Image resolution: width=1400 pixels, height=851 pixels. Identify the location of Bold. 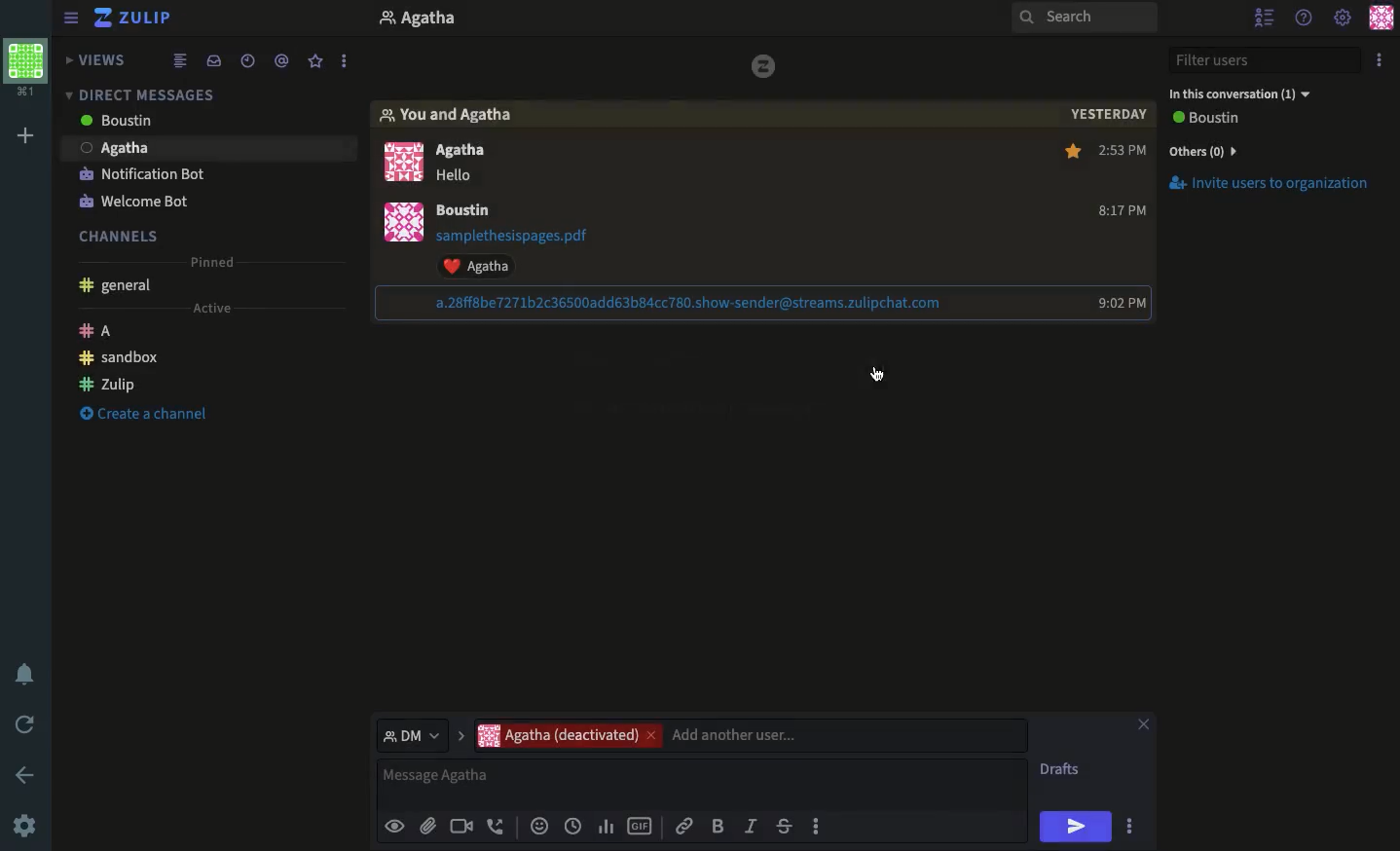
(718, 825).